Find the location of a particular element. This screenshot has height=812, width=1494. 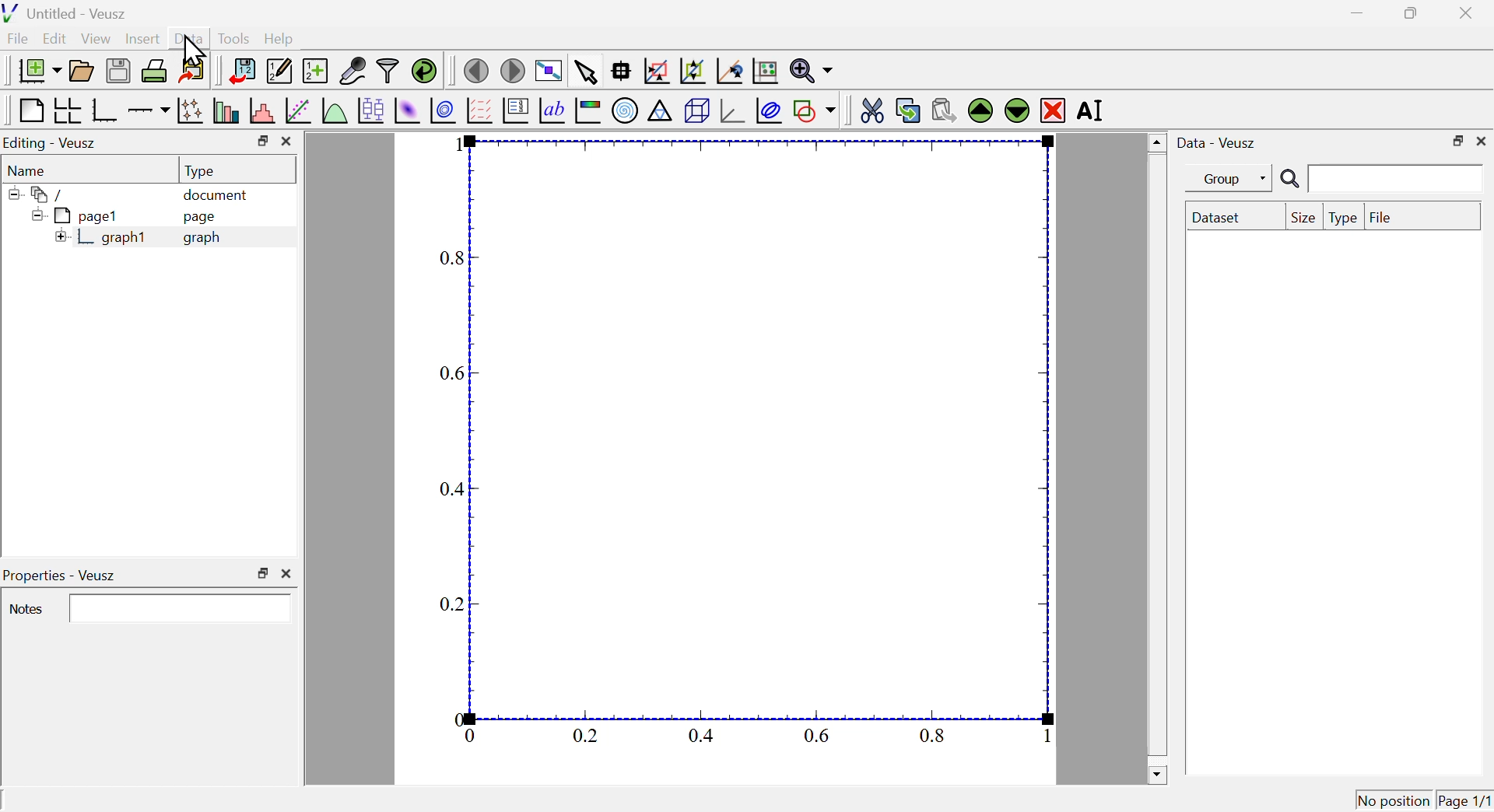

plot a 2d dataset as an image is located at coordinates (408, 110).